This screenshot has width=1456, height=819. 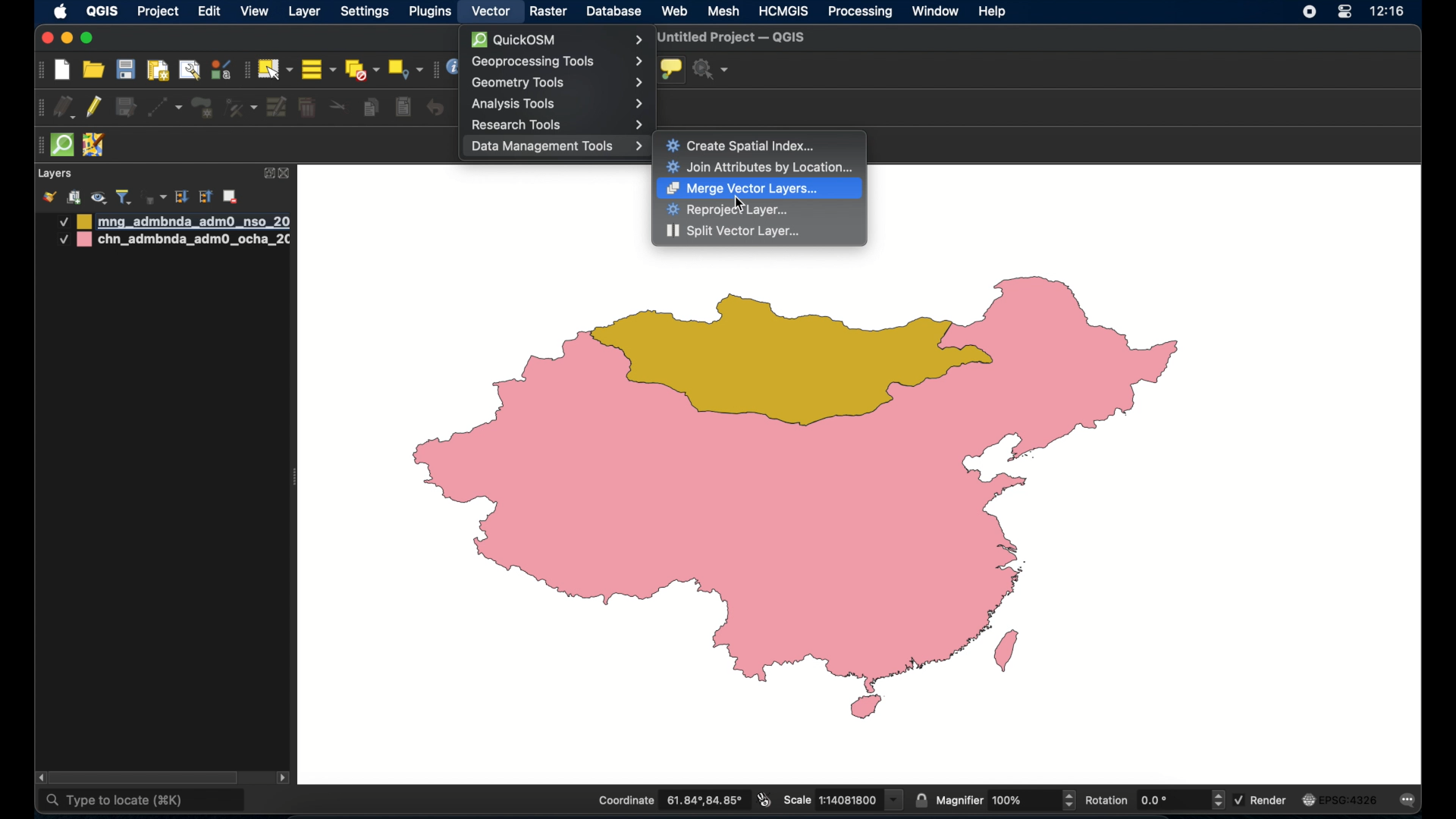 I want to click on settings, so click(x=366, y=13).